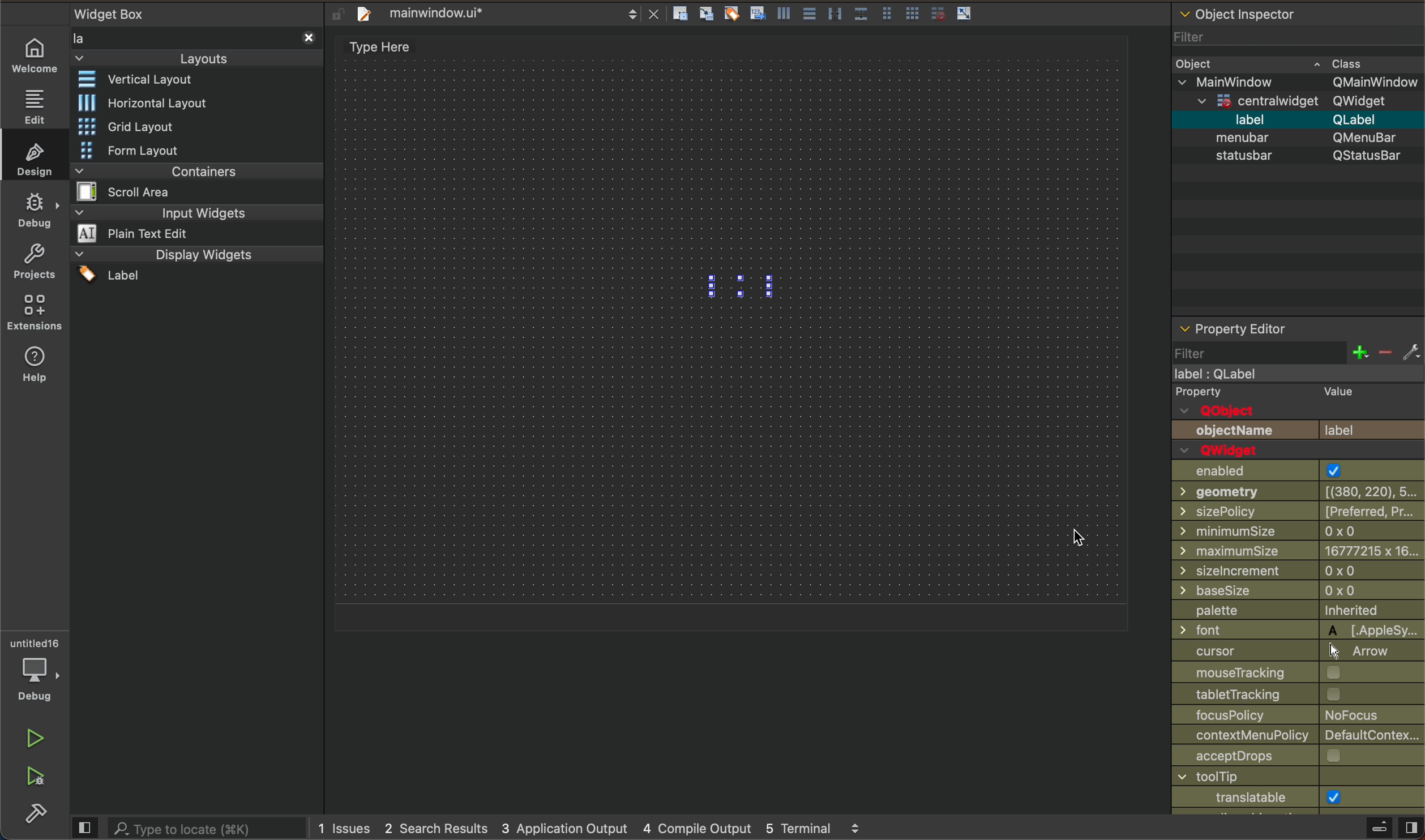  What do you see at coordinates (1297, 552) in the screenshot?
I see `maximum size` at bounding box center [1297, 552].